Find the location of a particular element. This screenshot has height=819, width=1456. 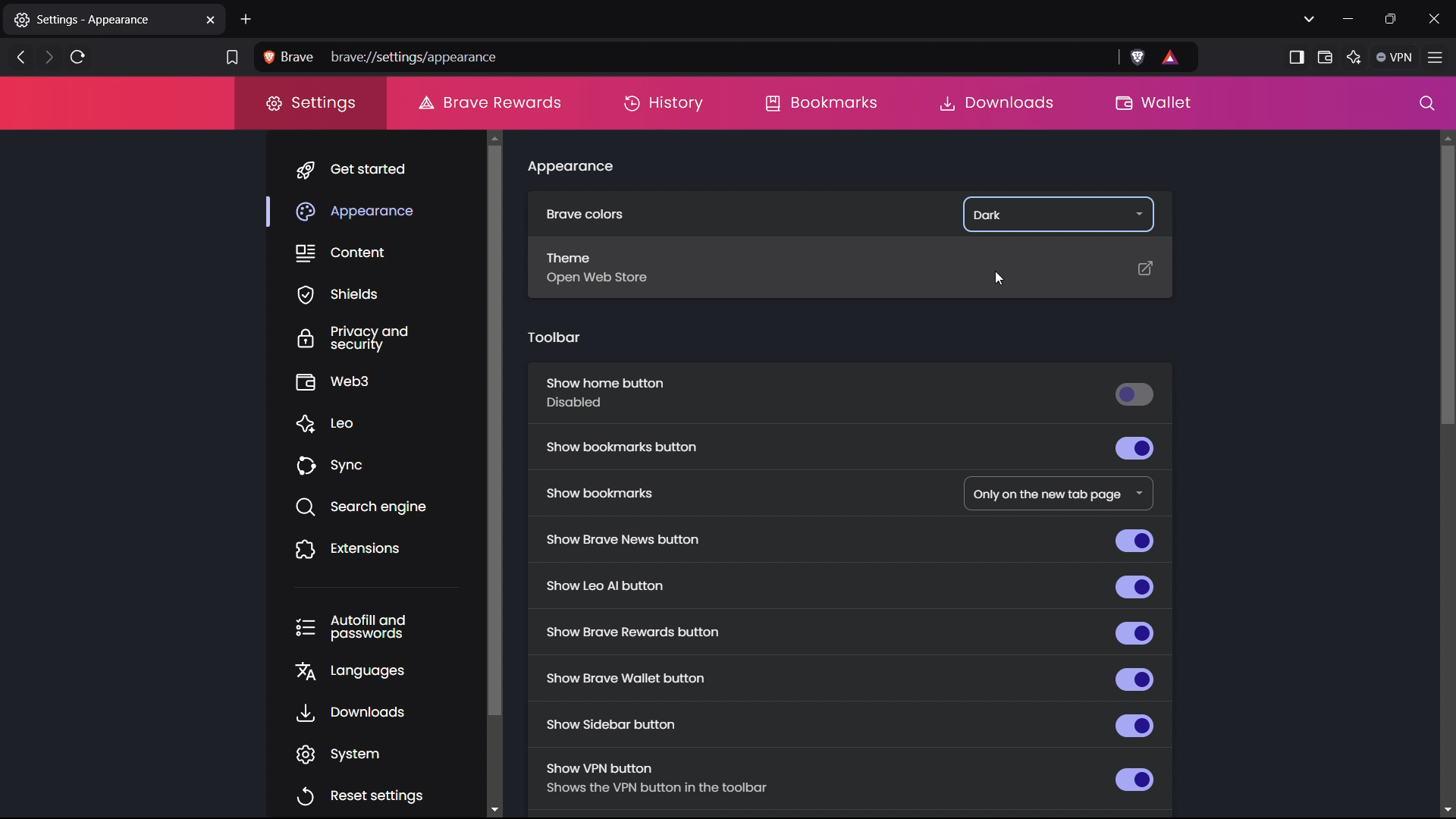

shields is located at coordinates (385, 292).